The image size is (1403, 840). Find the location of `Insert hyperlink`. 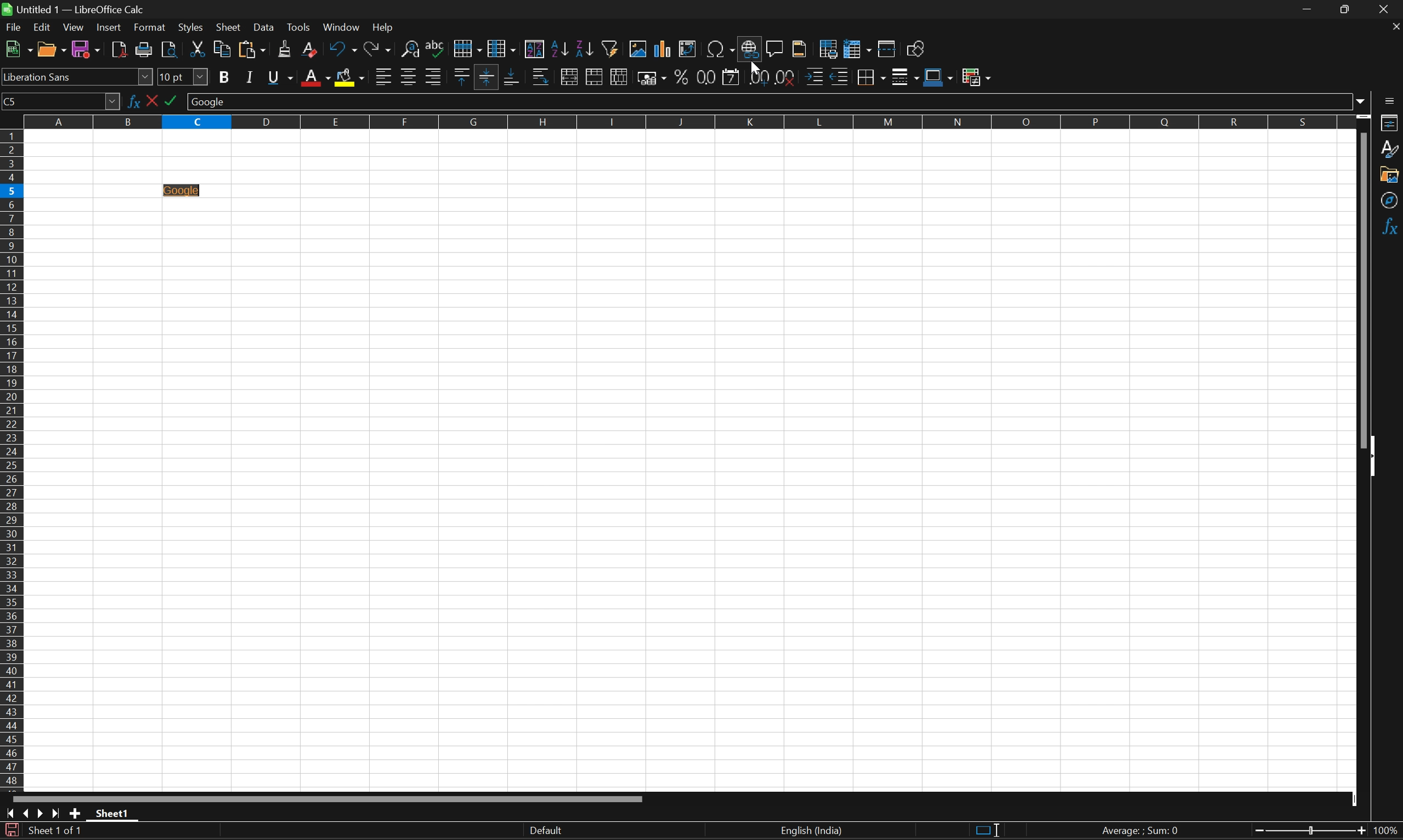

Insert hyperlink is located at coordinates (748, 49).